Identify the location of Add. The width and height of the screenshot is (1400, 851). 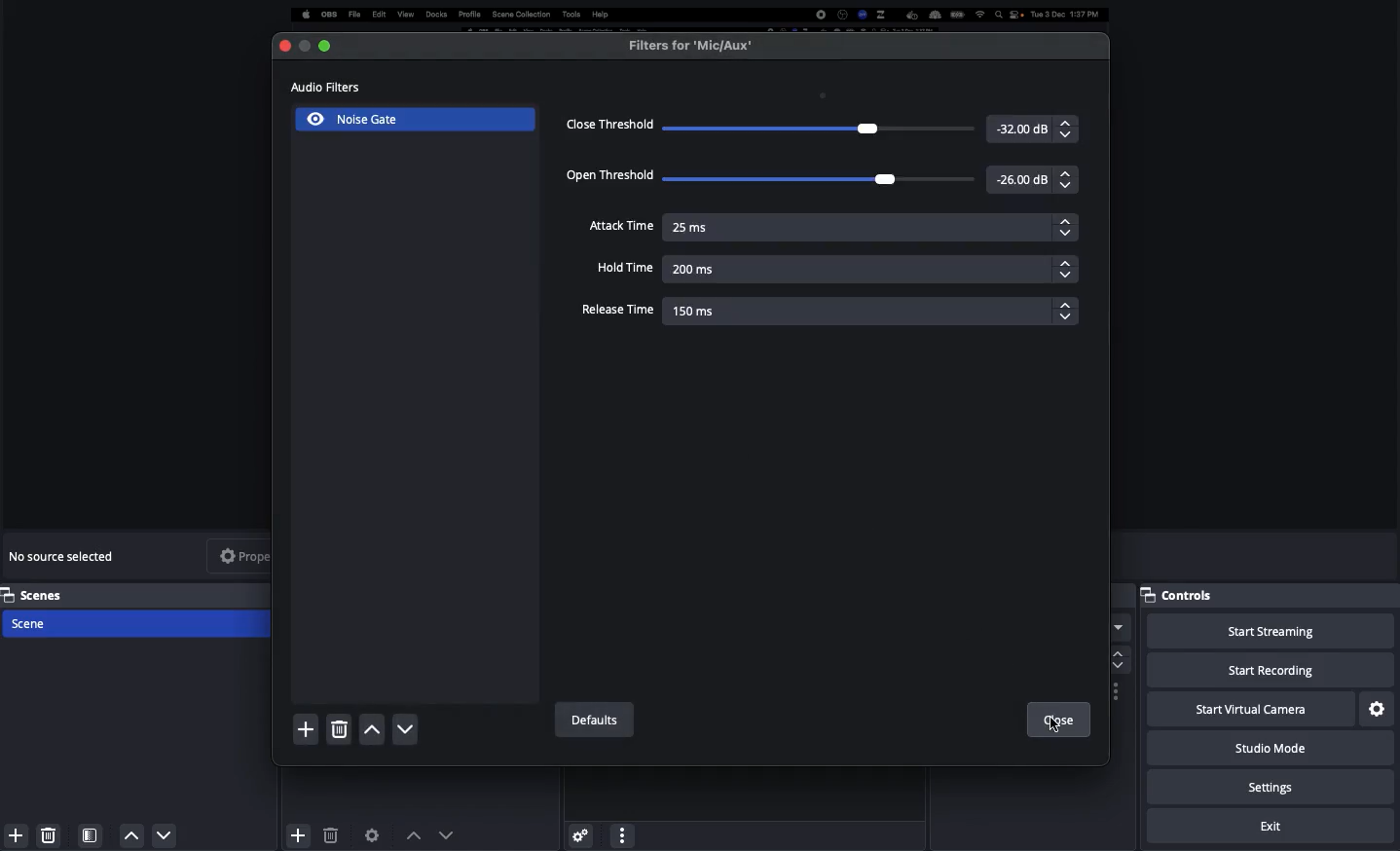
(306, 729).